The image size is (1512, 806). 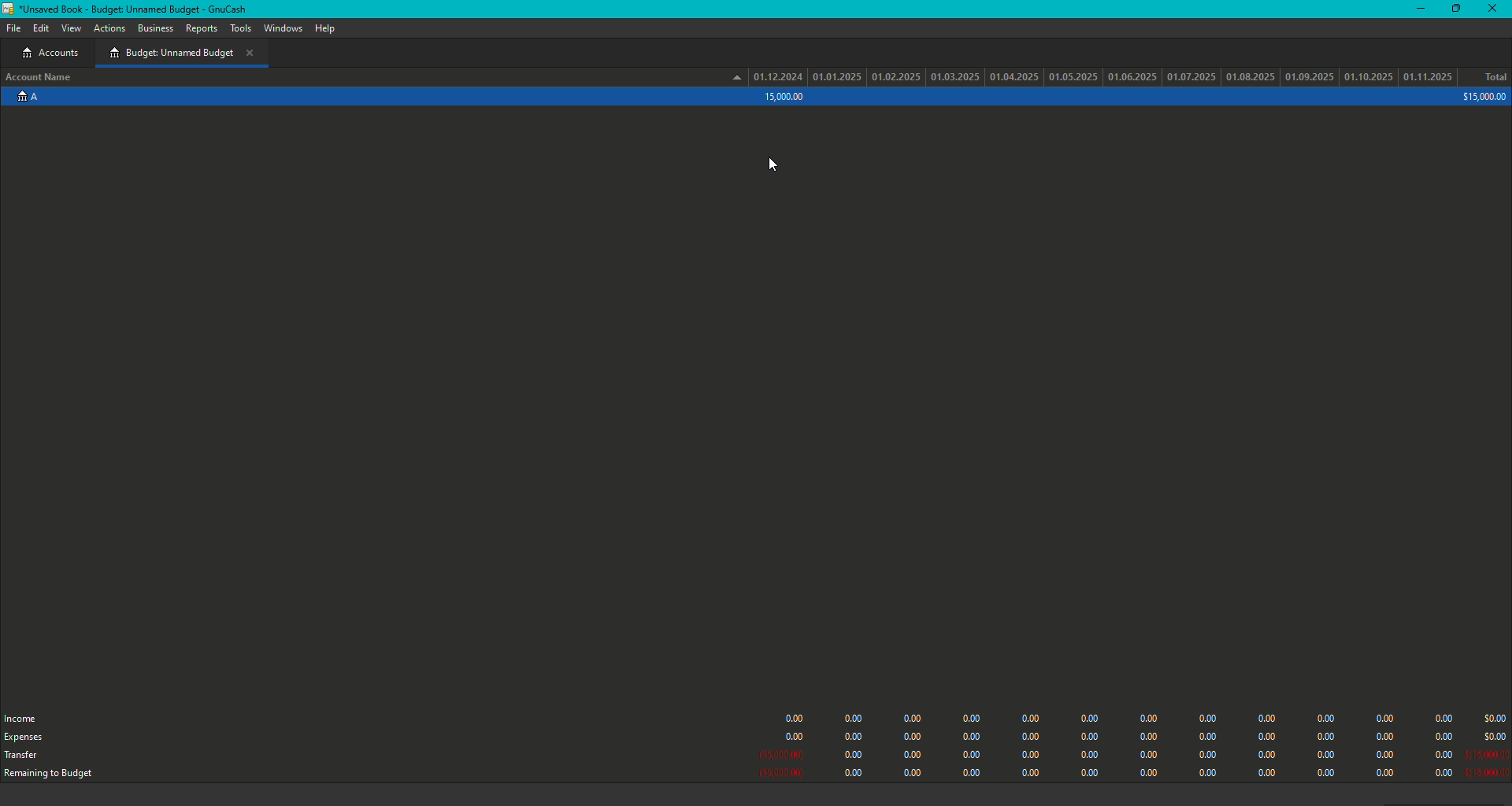 I want to click on Income, so click(x=25, y=717).